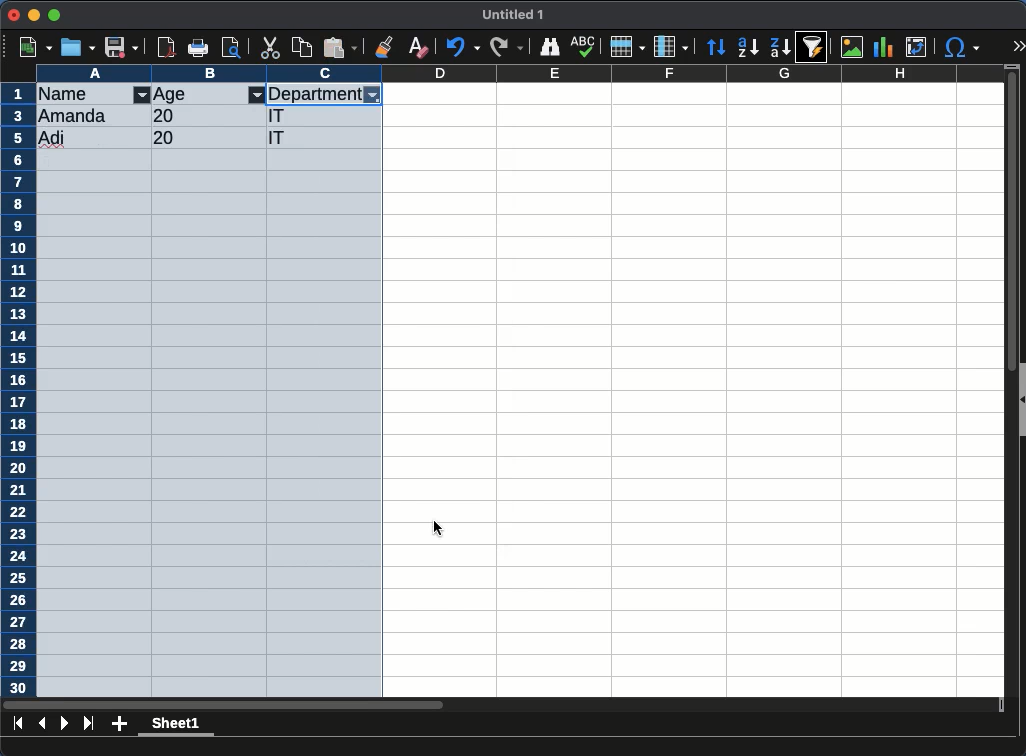  Describe the element at coordinates (748, 48) in the screenshot. I see `descending` at that location.